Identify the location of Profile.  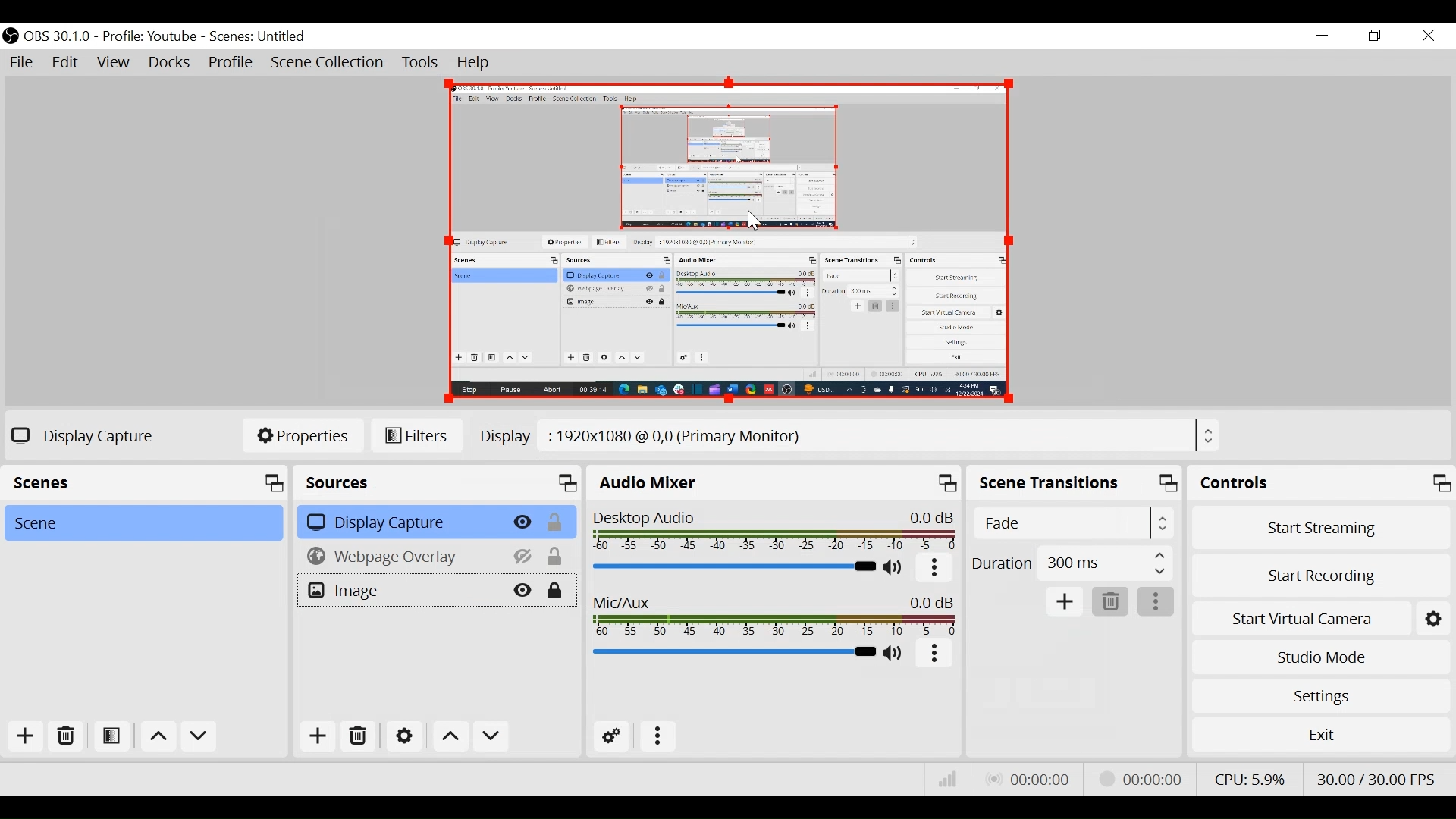
(231, 64).